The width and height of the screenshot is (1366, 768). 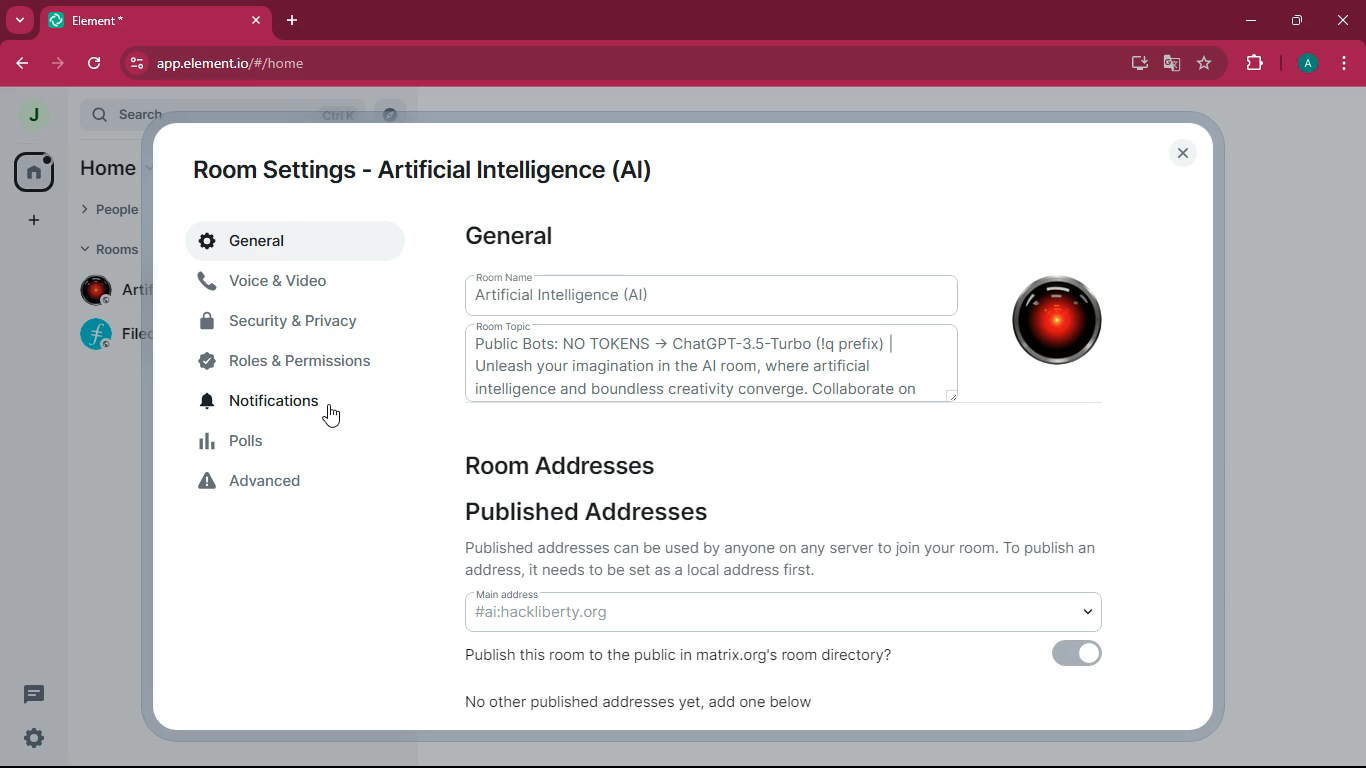 What do you see at coordinates (216, 113) in the screenshot?
I see `search` at bounding box center [216, 113].